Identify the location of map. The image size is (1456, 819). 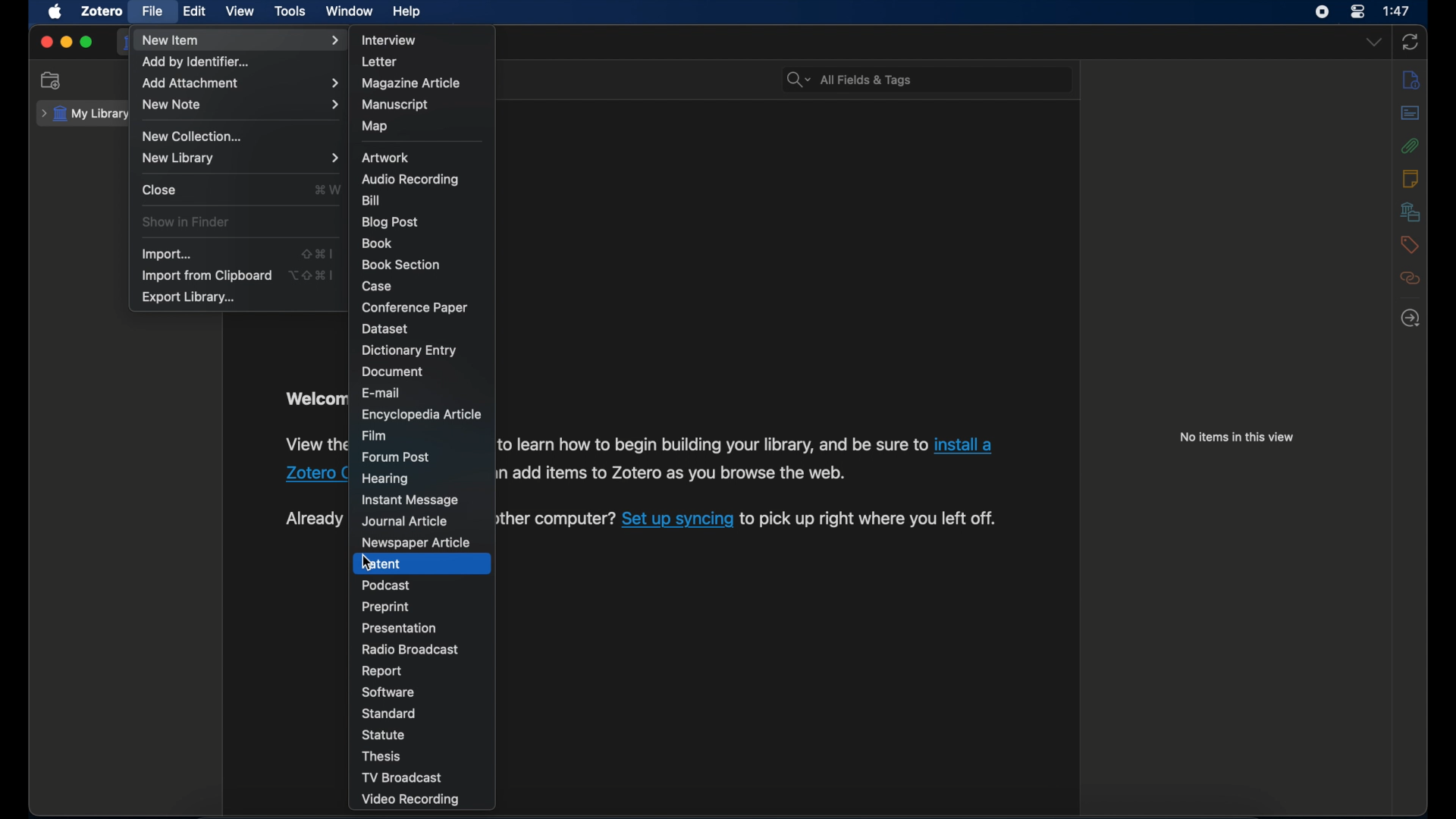
(376, 126).